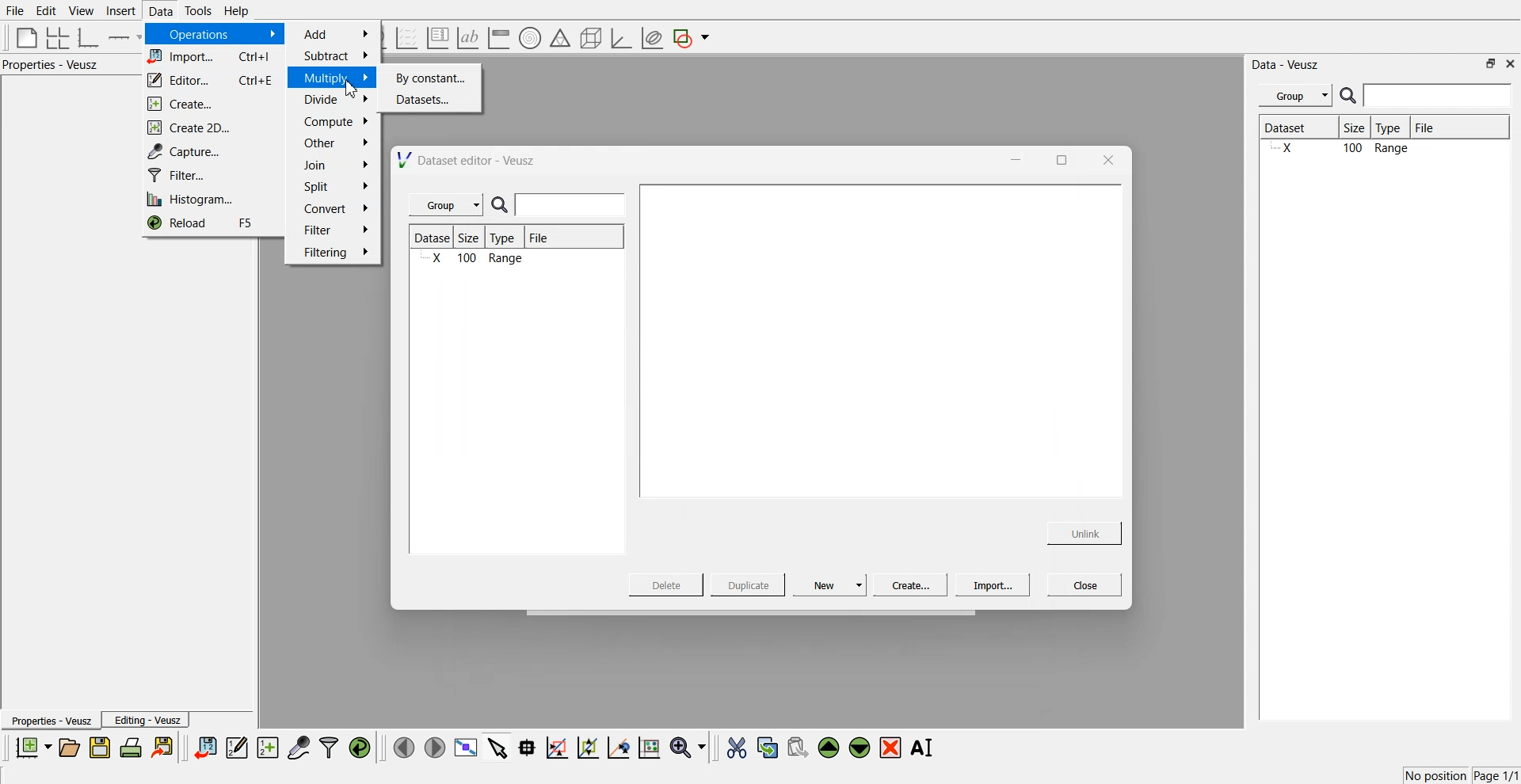  I want to click on Editing - Veusz, so click(147, 720).